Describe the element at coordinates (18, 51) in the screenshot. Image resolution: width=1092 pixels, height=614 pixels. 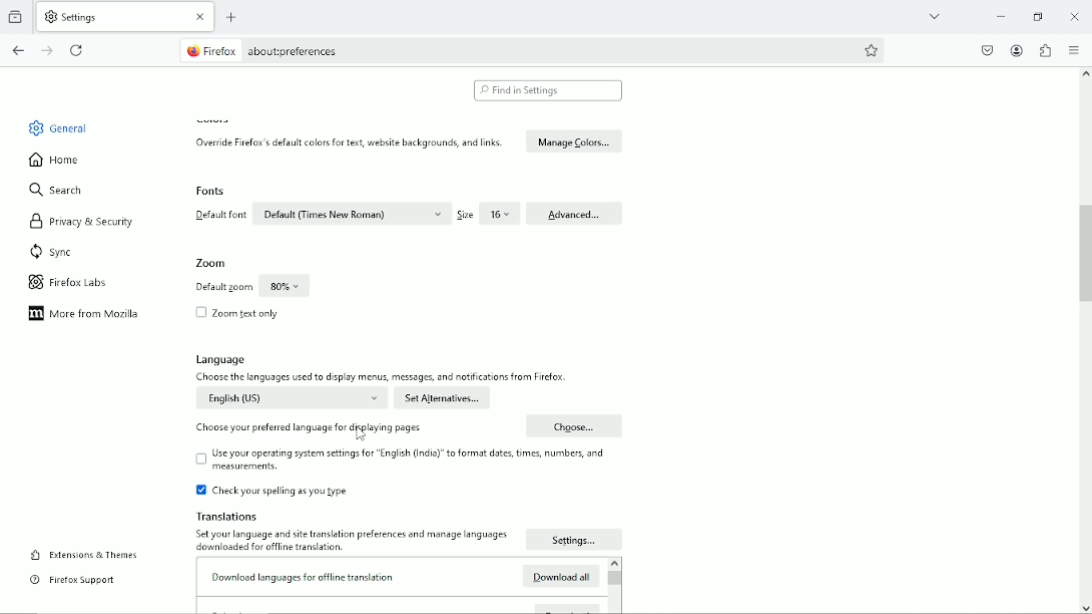
I see `go back` at that location.